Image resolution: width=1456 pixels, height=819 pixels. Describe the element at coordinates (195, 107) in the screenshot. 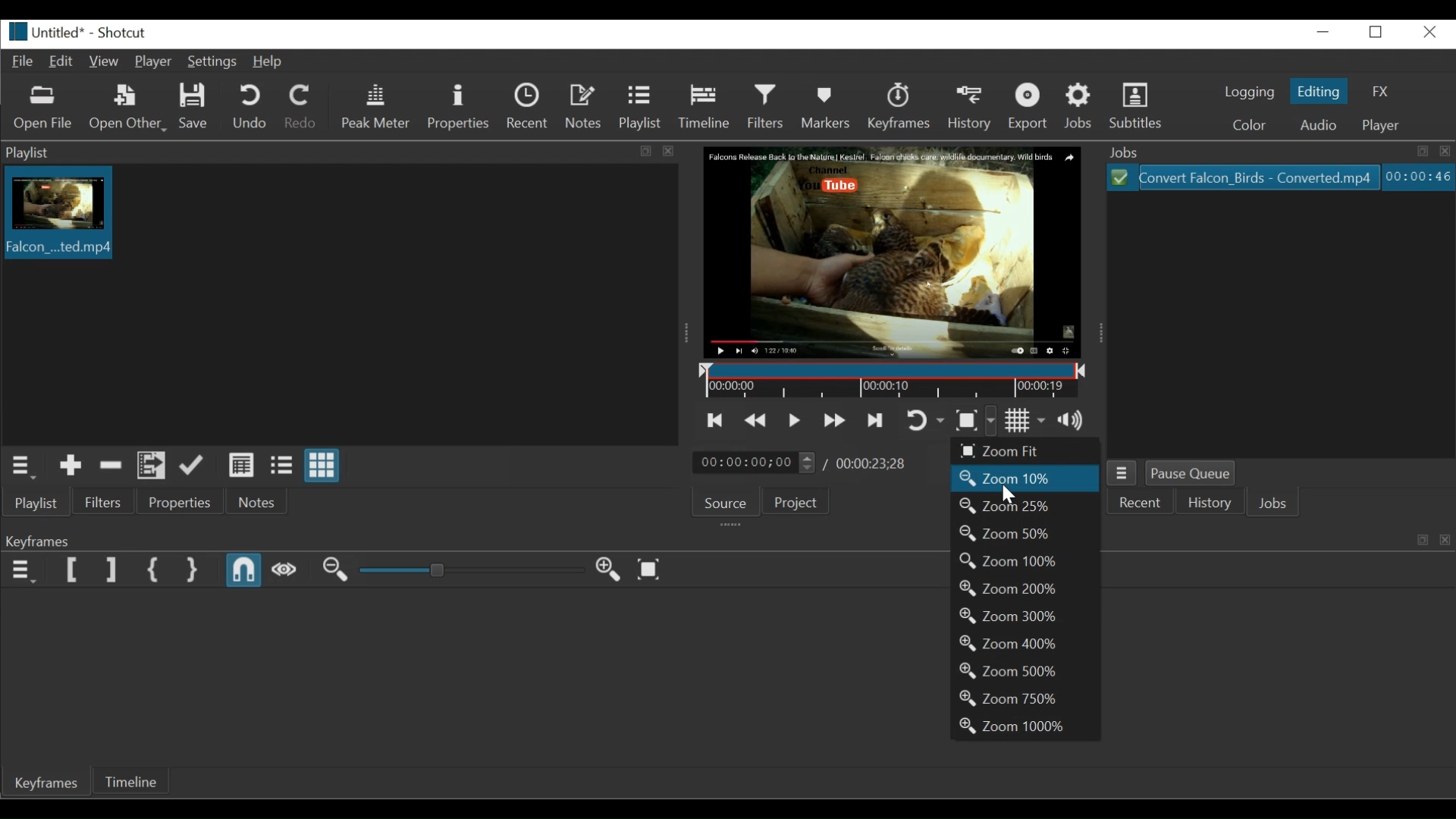

I see `Save` at that location.